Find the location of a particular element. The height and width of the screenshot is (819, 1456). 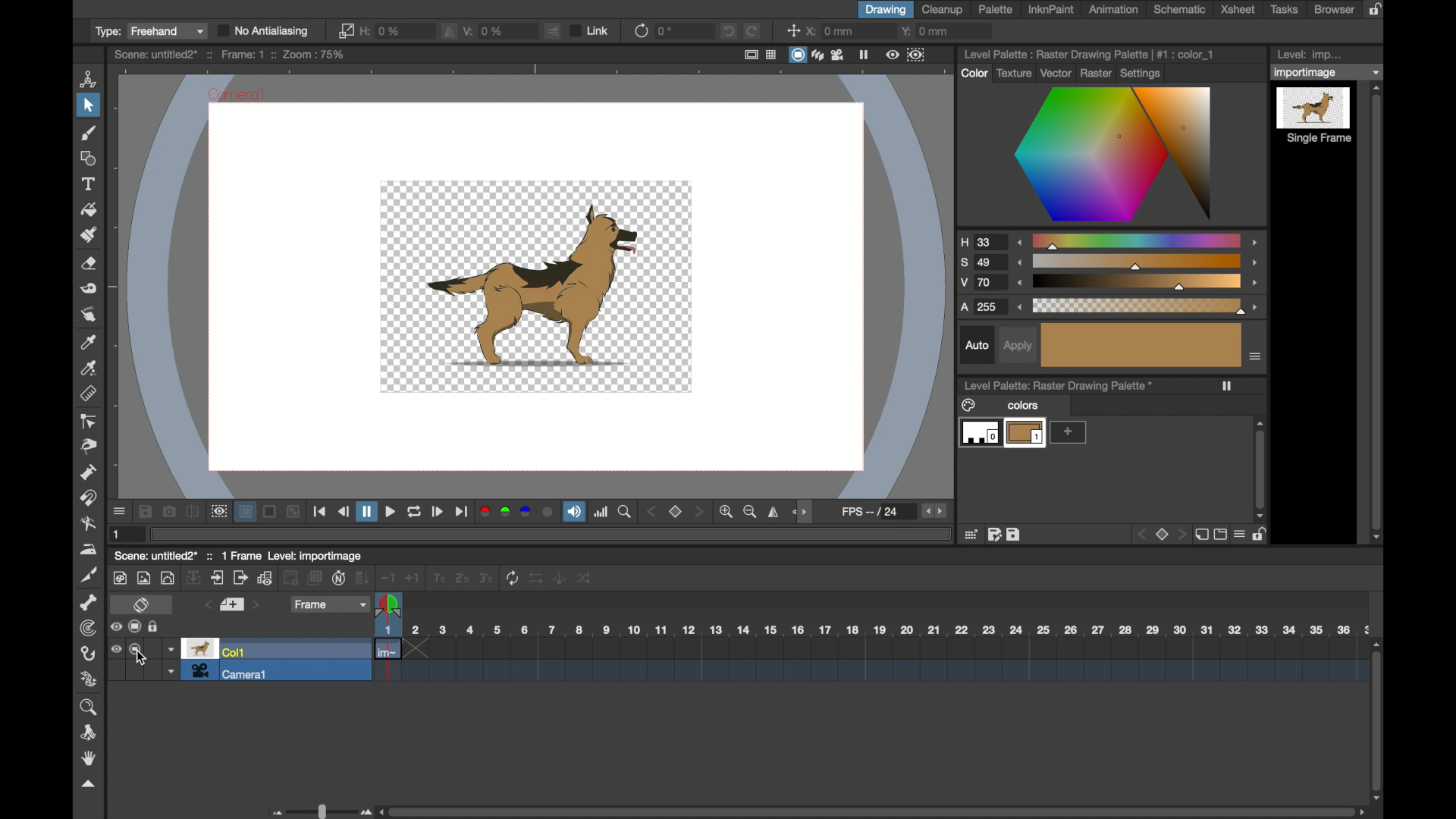

v is located at coordinates (486, 30).